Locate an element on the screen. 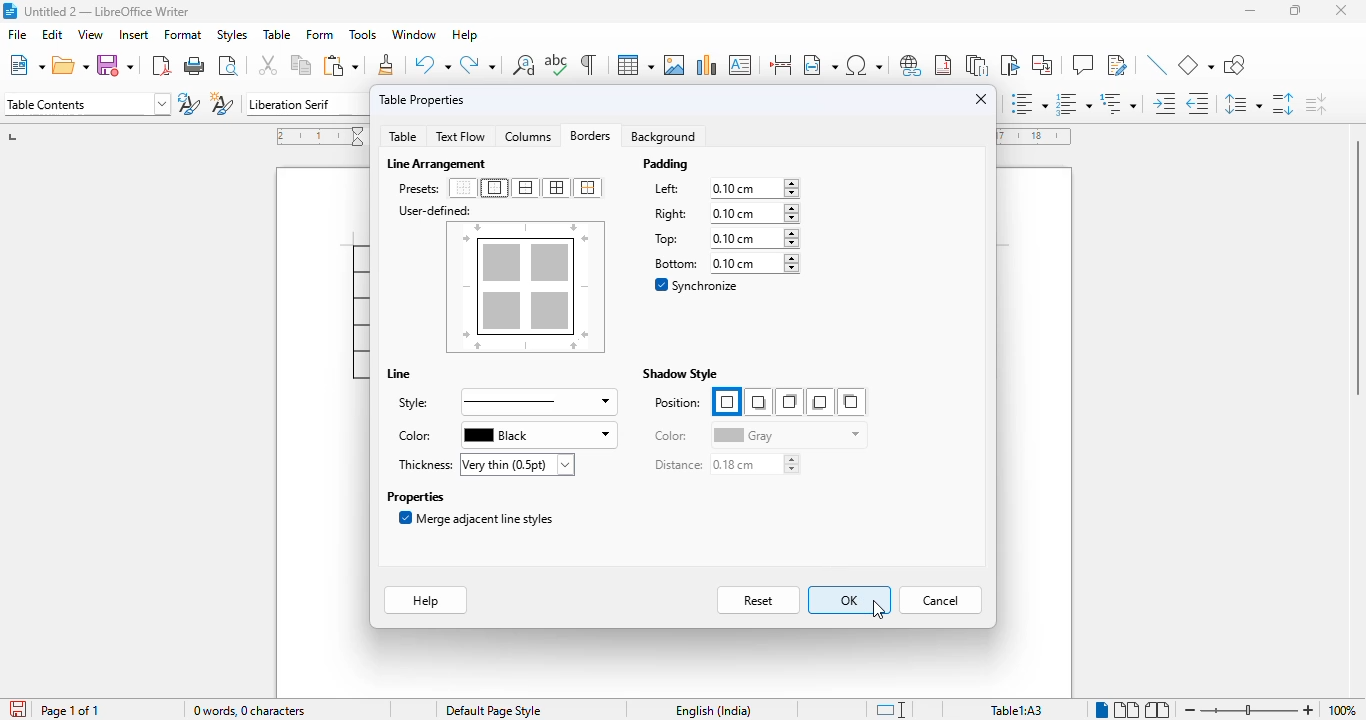  cut is located at coordinates (269, 65).